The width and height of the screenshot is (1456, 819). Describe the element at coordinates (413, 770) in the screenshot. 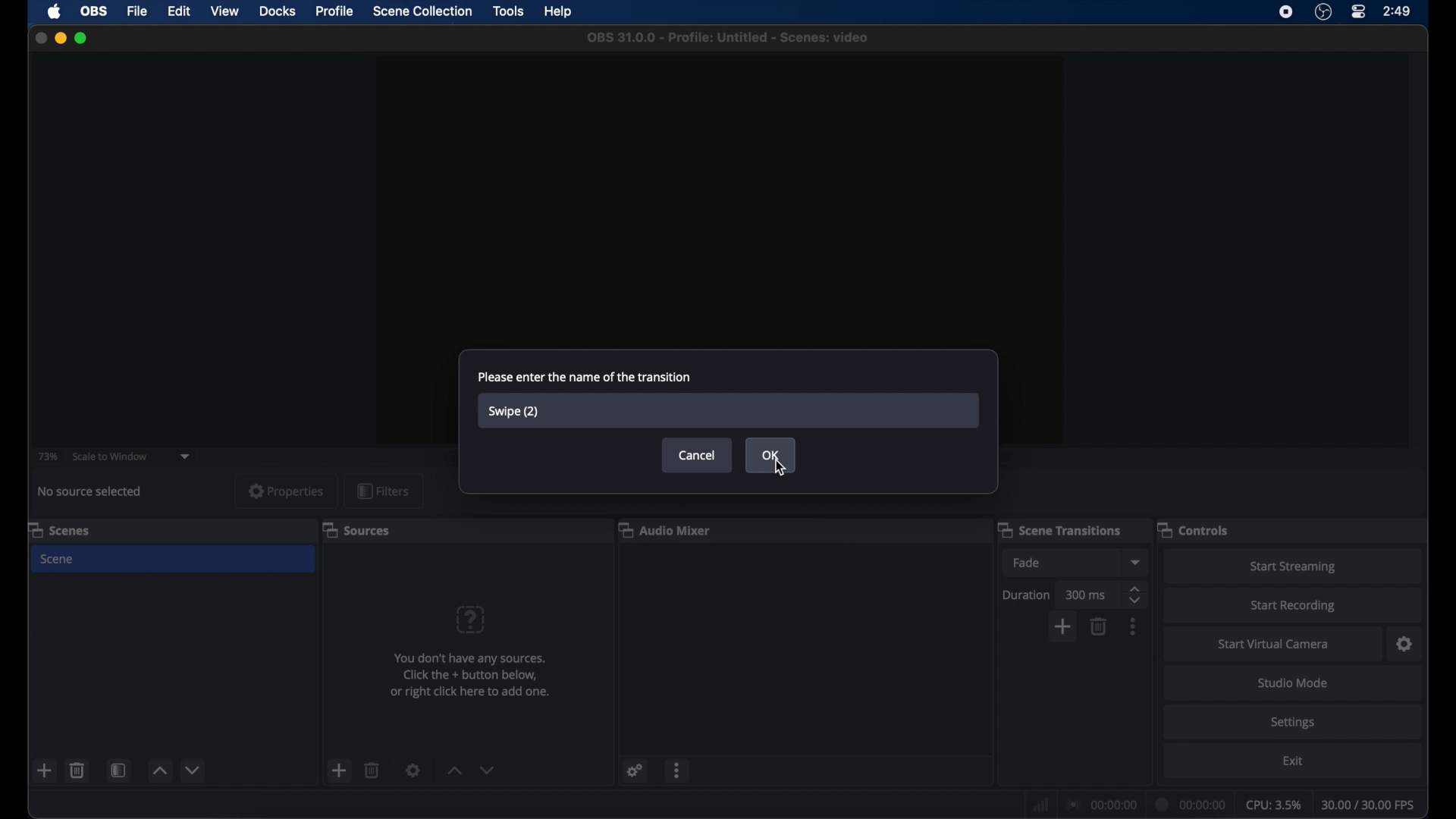

I see `settings` at that location.